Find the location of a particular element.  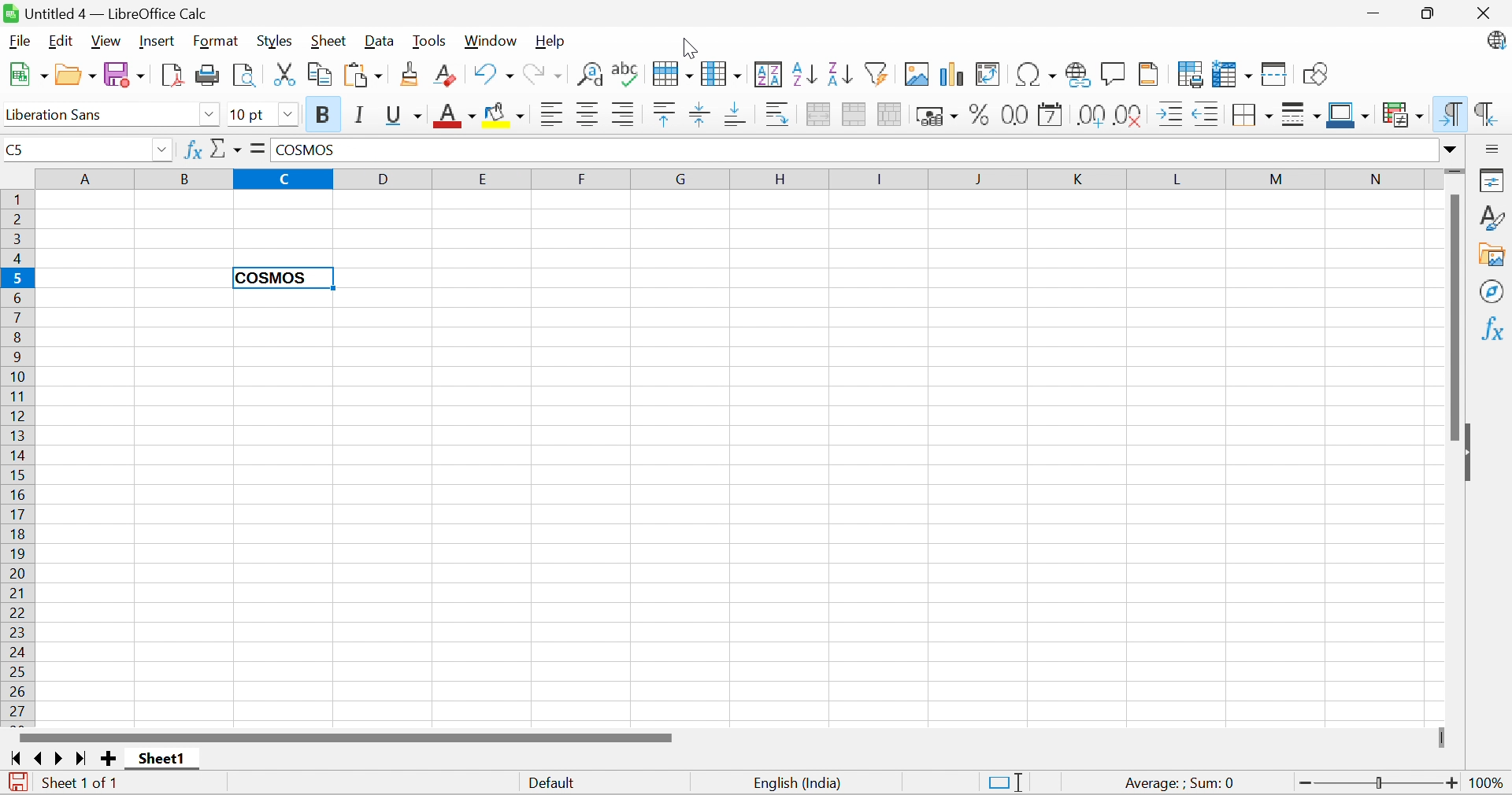

bold text is located at coordinates (273, 279).